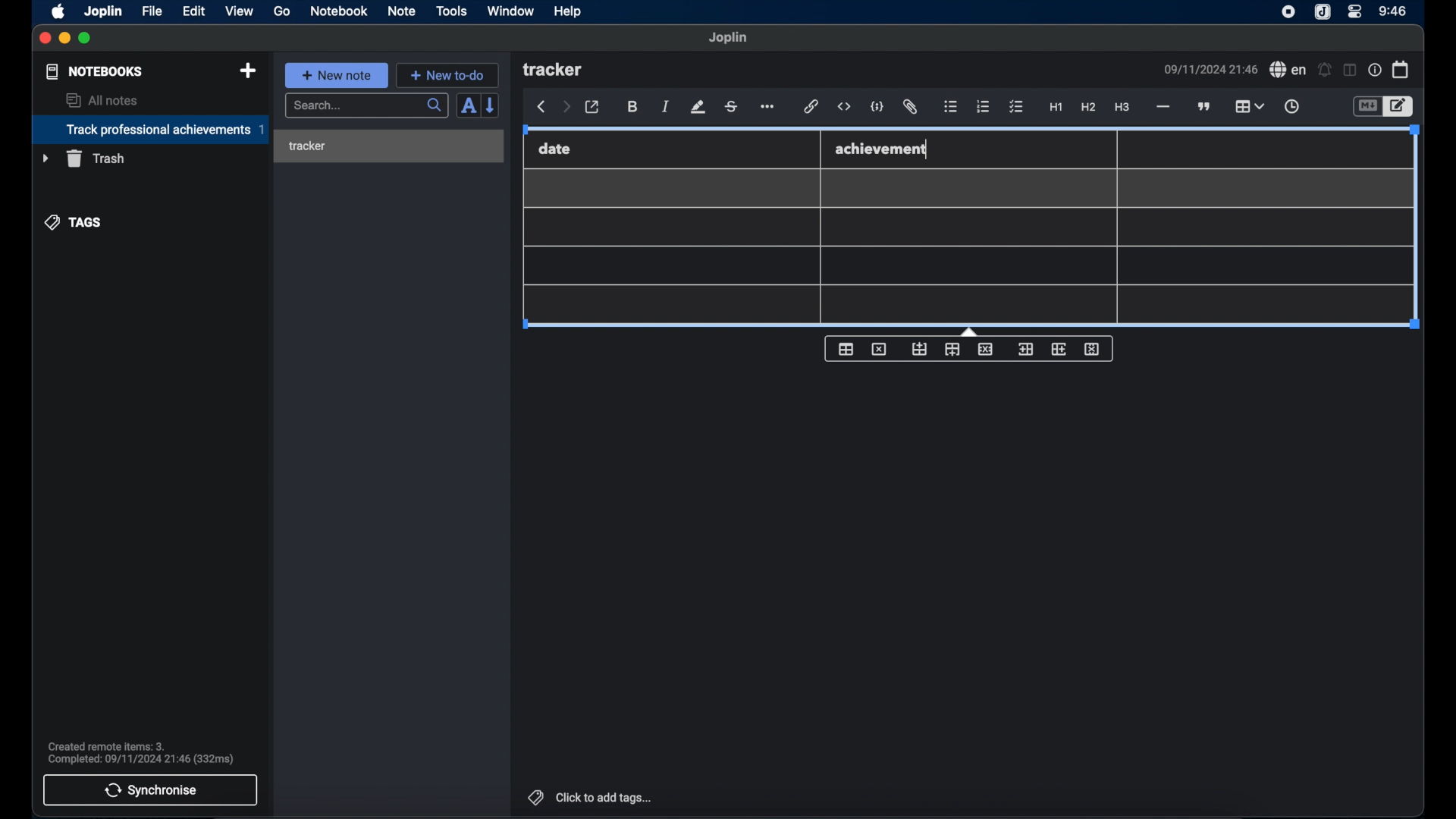 The width and height of the screenshot is (1456, 819). Describe the element at coordinates (1401, 69) in the screenshot. I see `calendar` at that location.